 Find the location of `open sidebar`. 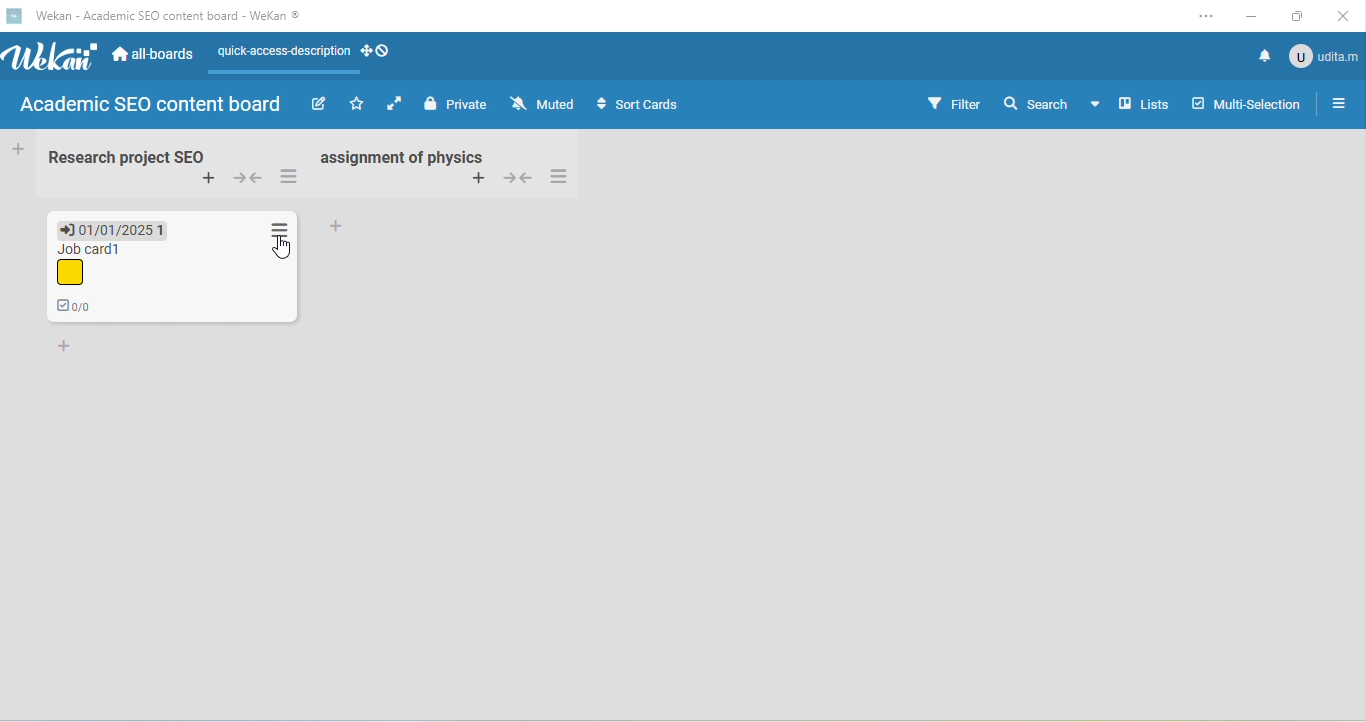

open sidebar is located at coordinates (1340, 105).